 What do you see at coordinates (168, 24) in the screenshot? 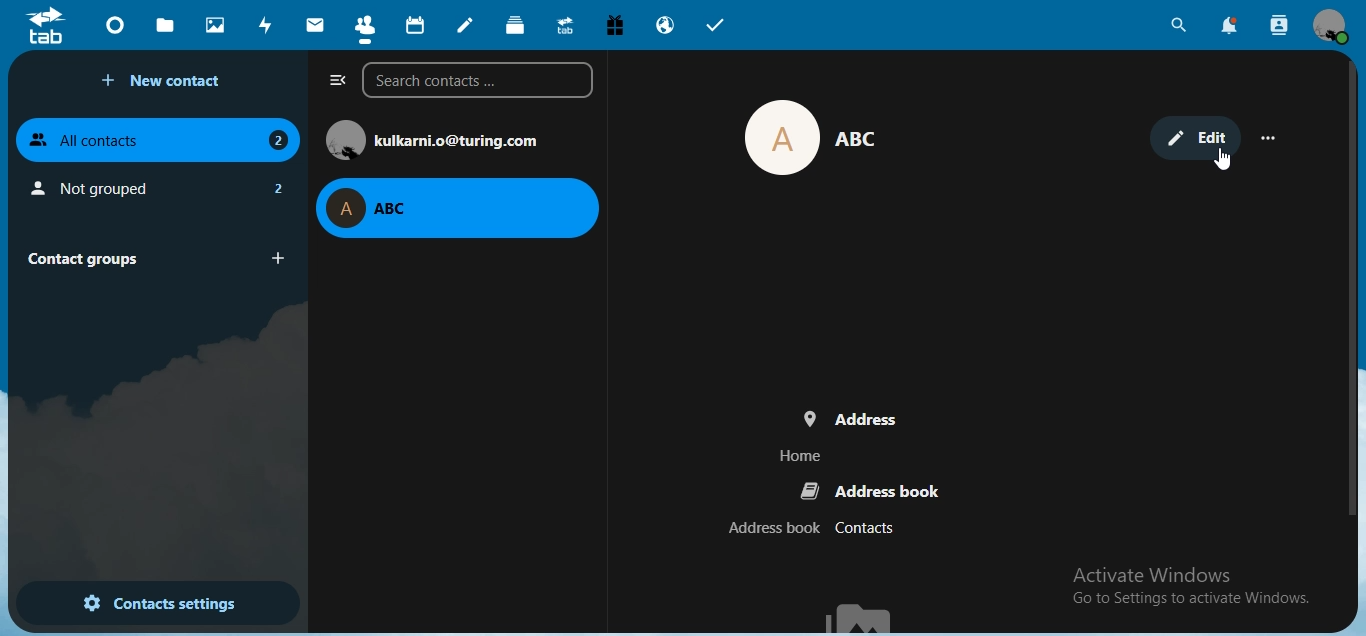
I see `files` at bounding box center [168, 24].